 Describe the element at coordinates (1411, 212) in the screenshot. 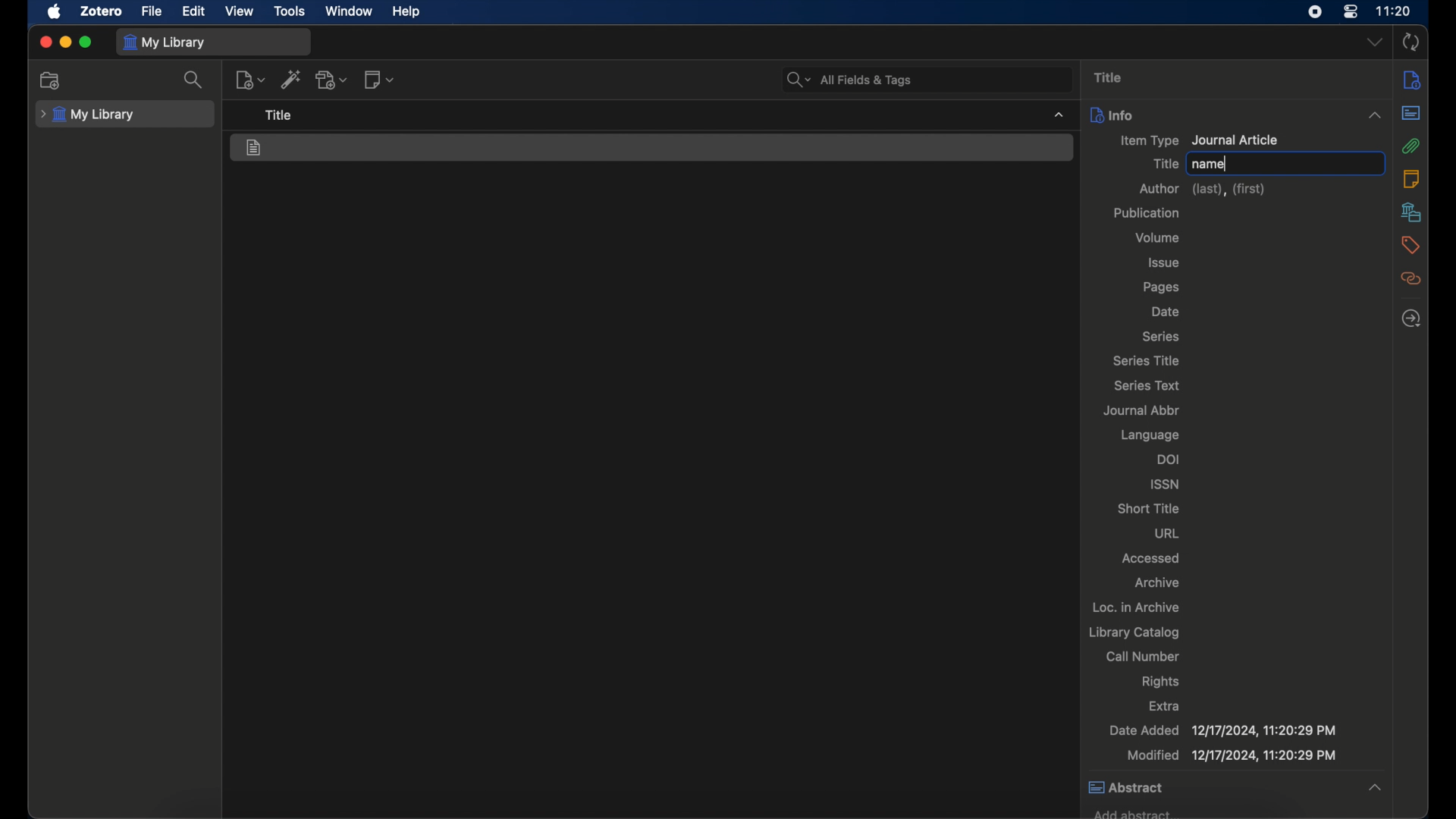

I see `libraries` at that location.